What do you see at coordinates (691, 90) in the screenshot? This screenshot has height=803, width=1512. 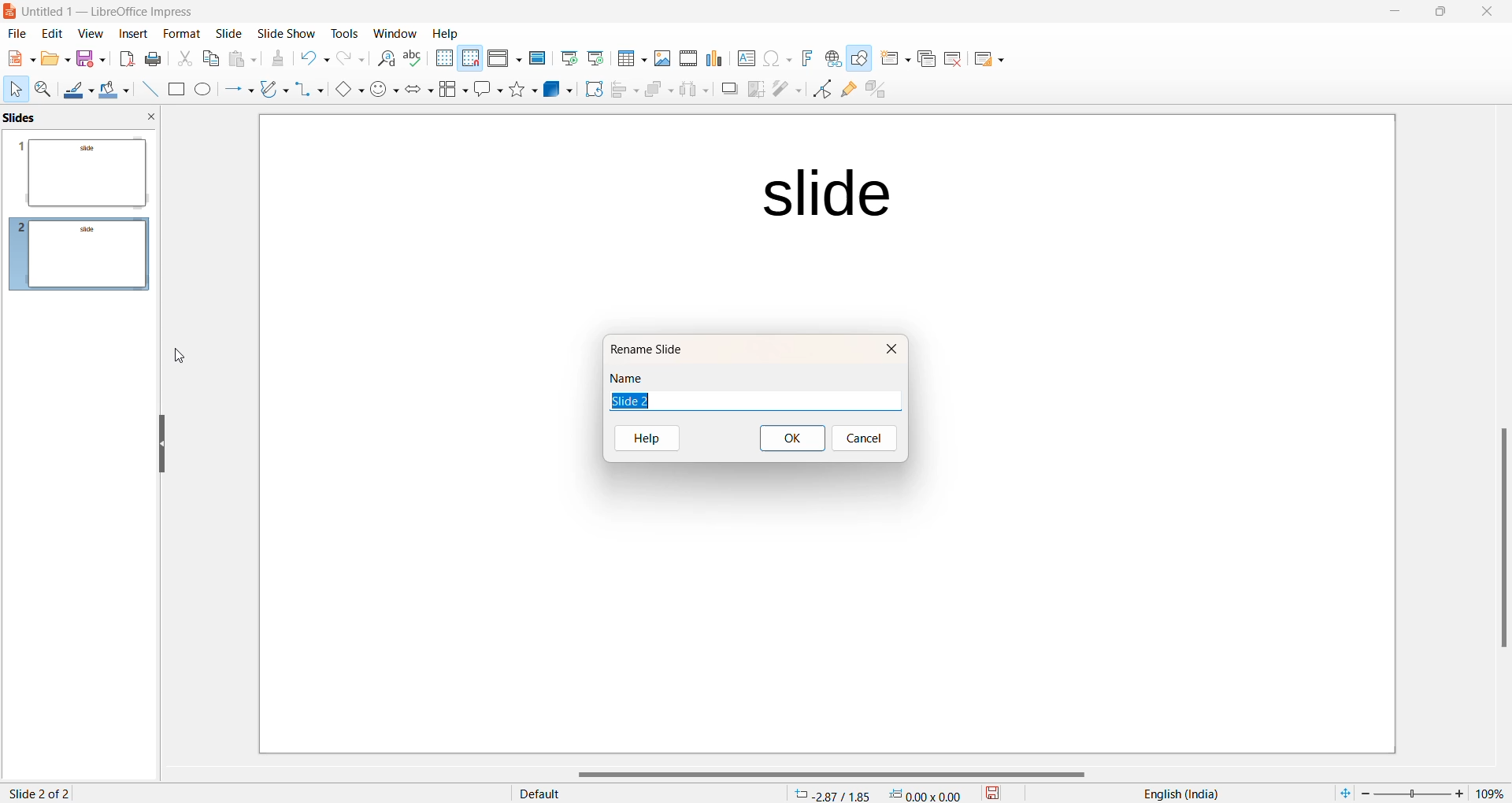 I see `Object distribution` at bounding box center [691, 90].